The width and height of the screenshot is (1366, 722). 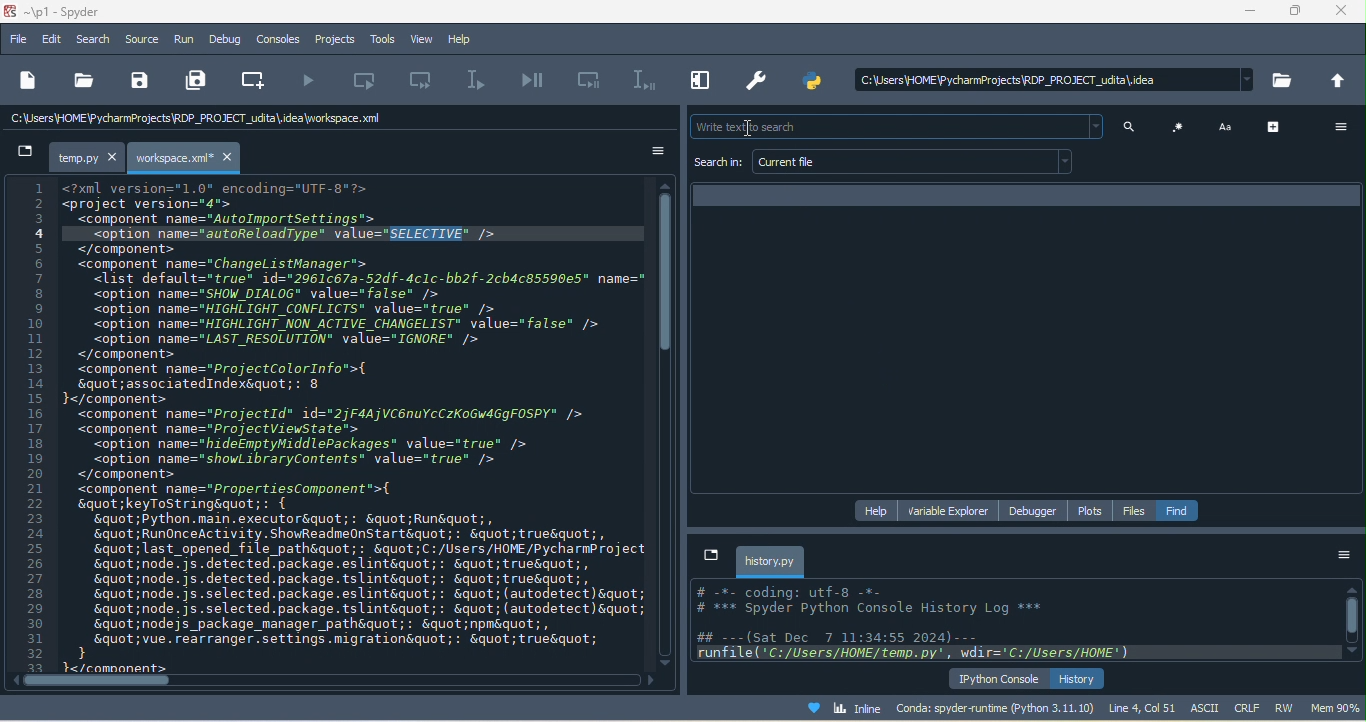 What do you see at coordinates (1252, 13) in the screenshot?
I see `minimize` at bounding box center [1252, 13].